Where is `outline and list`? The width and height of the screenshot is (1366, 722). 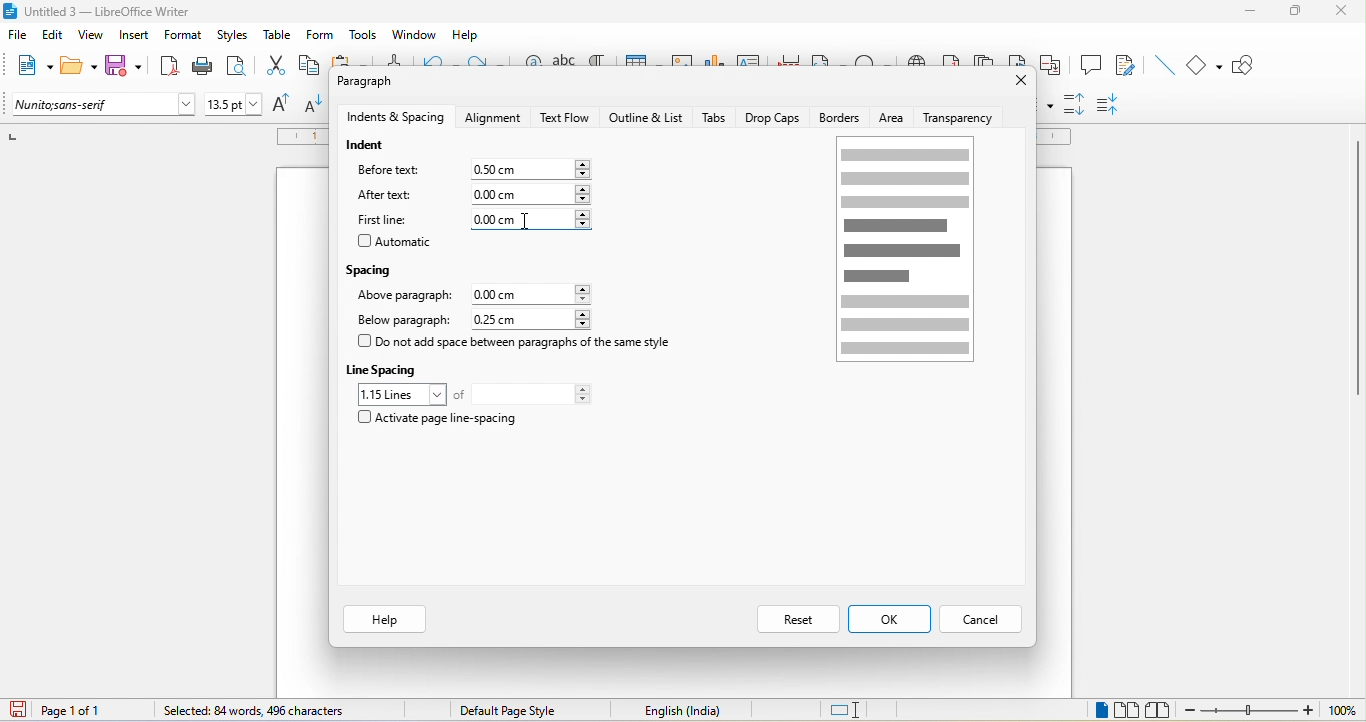
outline and list is located at coordinates (644, 116).